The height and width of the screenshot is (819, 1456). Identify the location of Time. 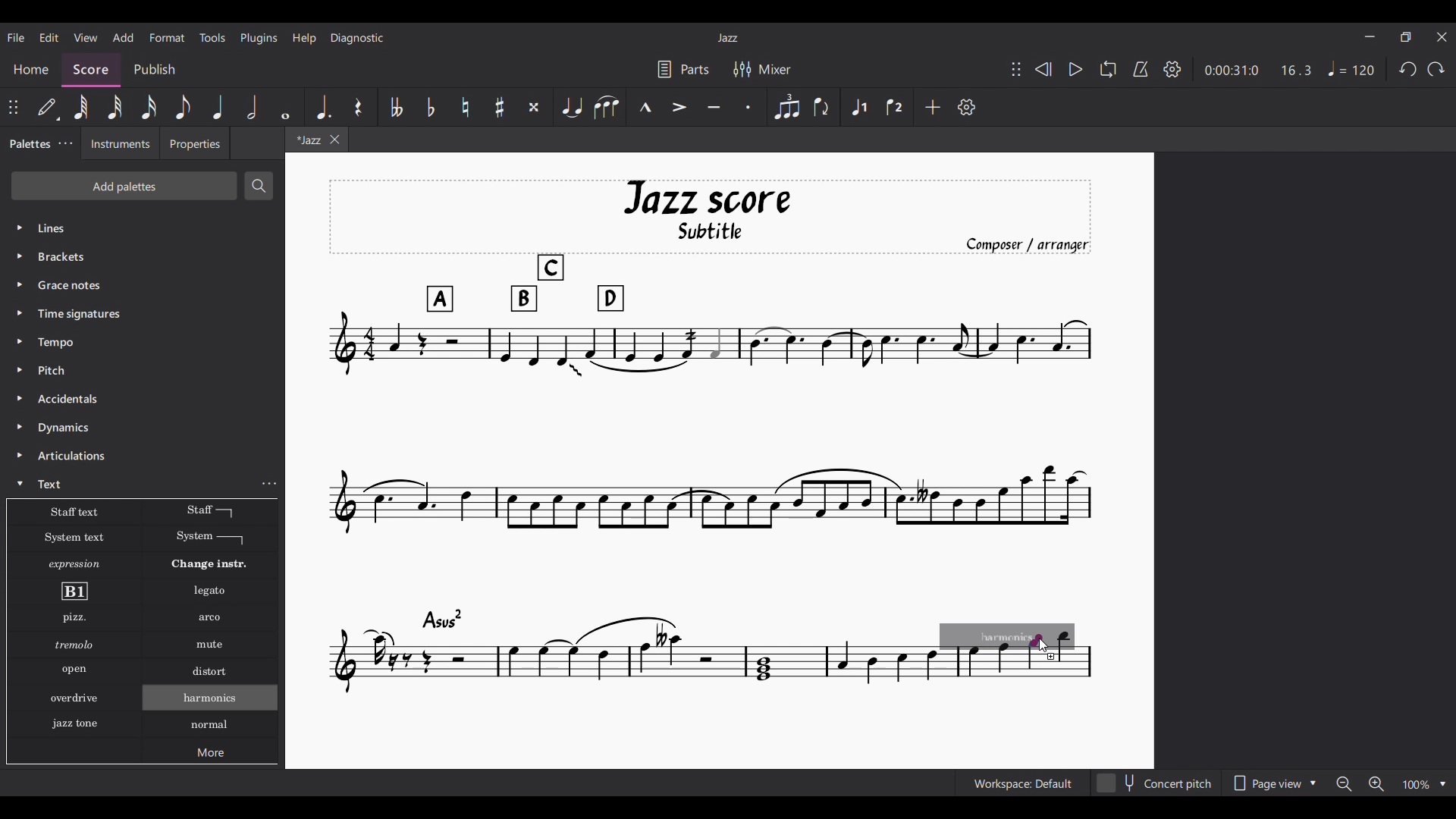
(99, 314).